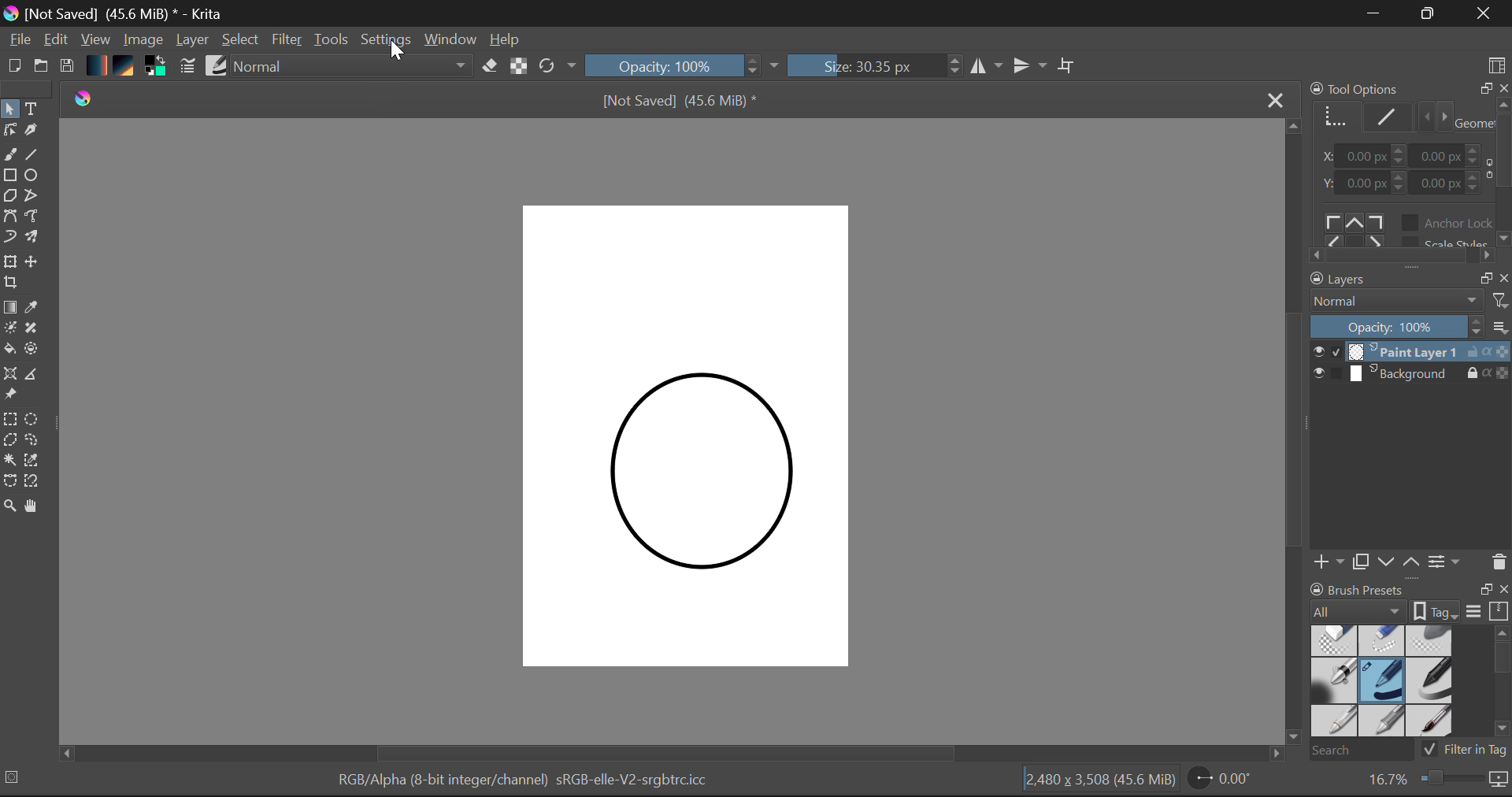 Image resolution: width=1512 pixels, height=797 pixels. Describe the element at coordinates (1409, 280) in the screenshot. I see `Layers Docket Tab` at that location.